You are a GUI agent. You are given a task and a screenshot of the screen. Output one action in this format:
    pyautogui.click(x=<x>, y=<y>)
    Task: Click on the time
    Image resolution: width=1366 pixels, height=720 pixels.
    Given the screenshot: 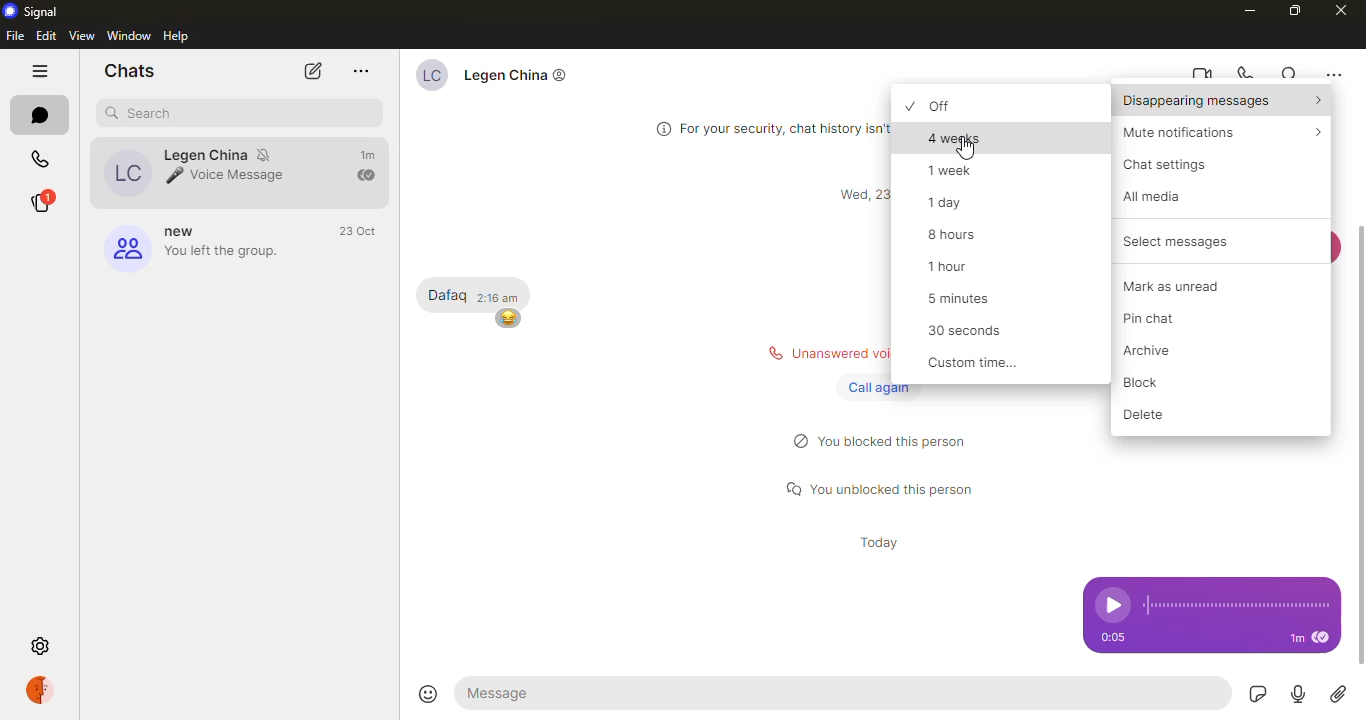 What is the action you would take?
    pyautogui.click(x=371, y=156)
    